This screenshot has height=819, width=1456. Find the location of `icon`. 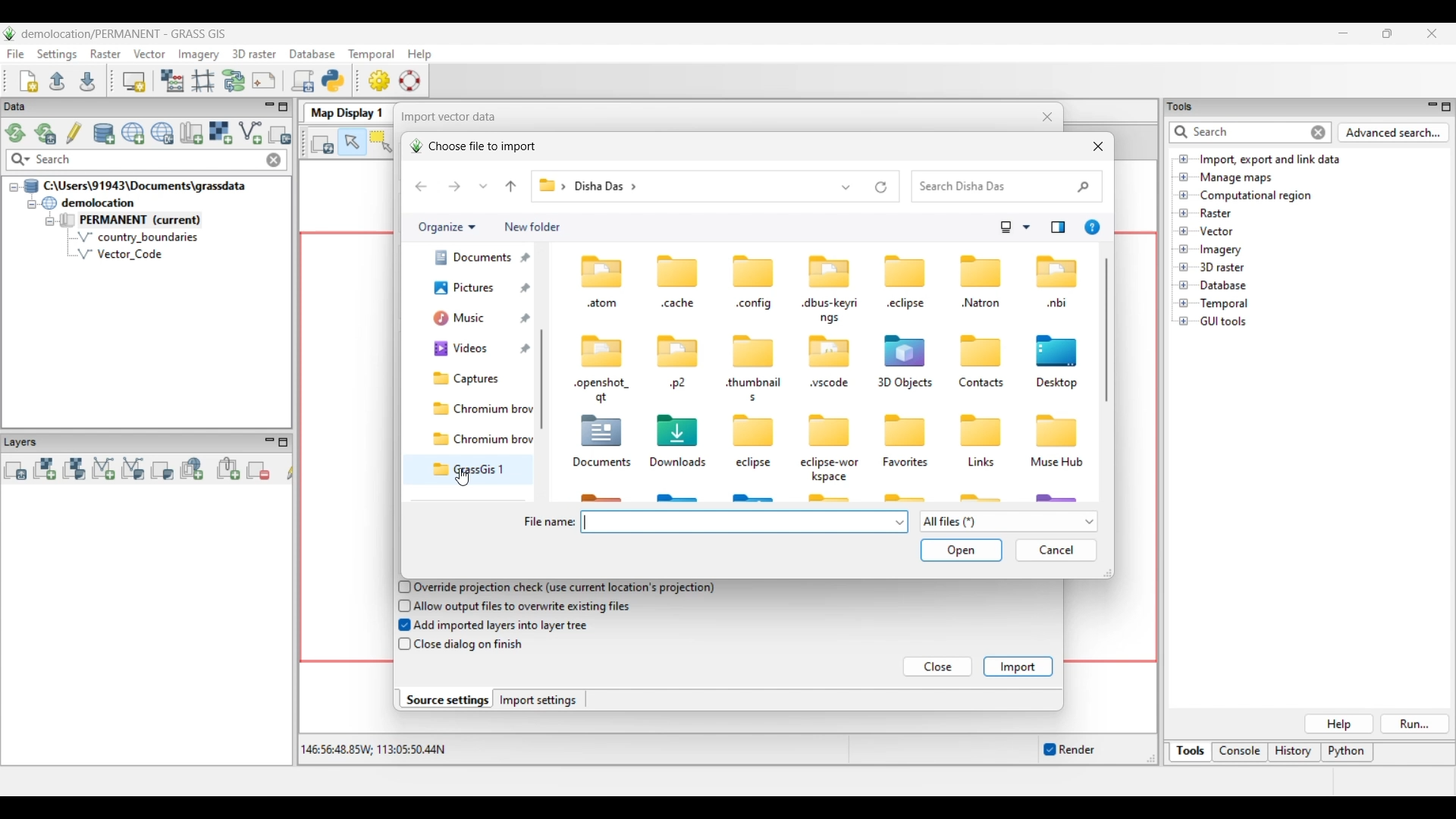

icon is located at coordinates (981, 431).